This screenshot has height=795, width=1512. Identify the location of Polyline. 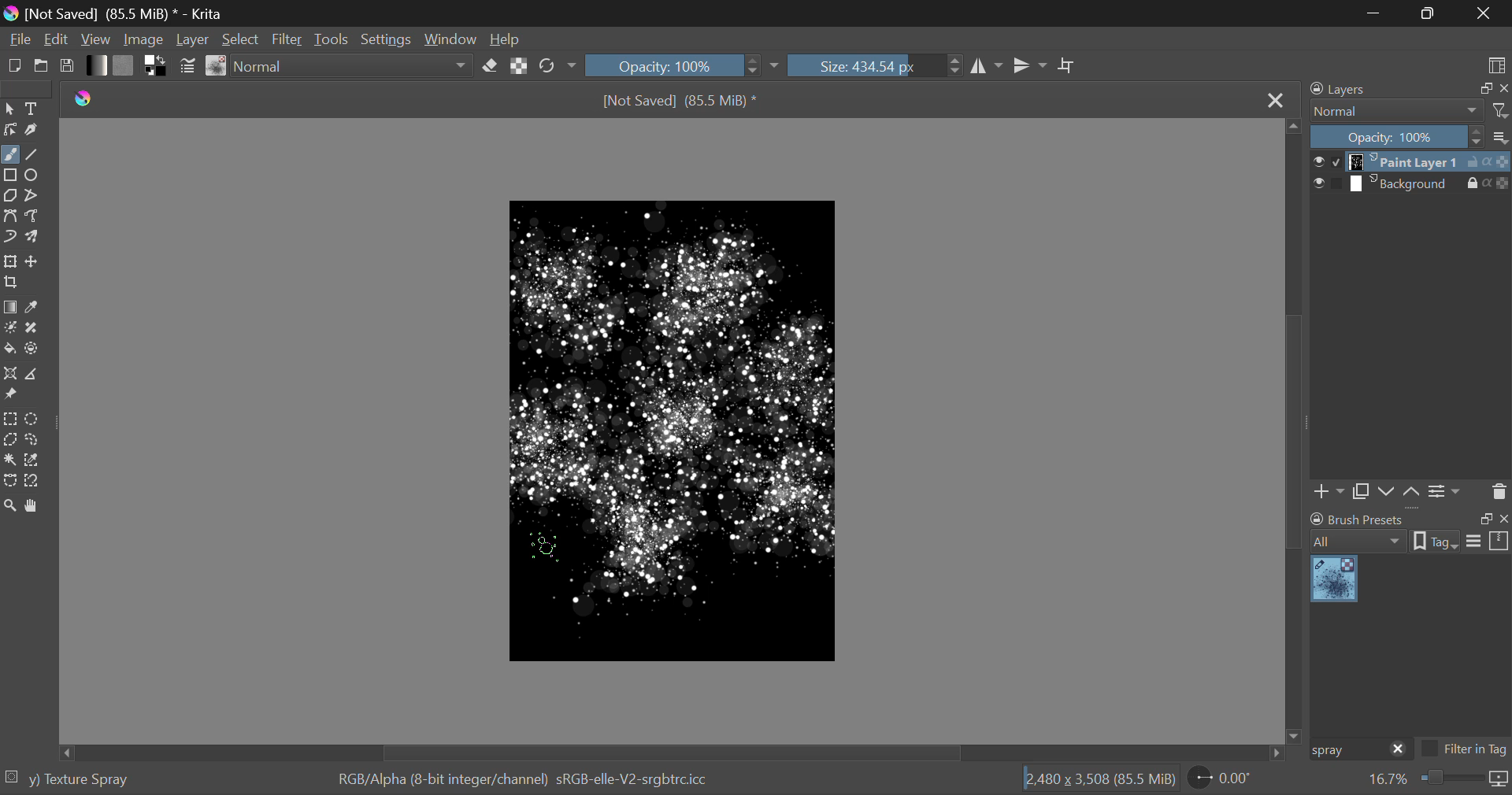
(33, 196).